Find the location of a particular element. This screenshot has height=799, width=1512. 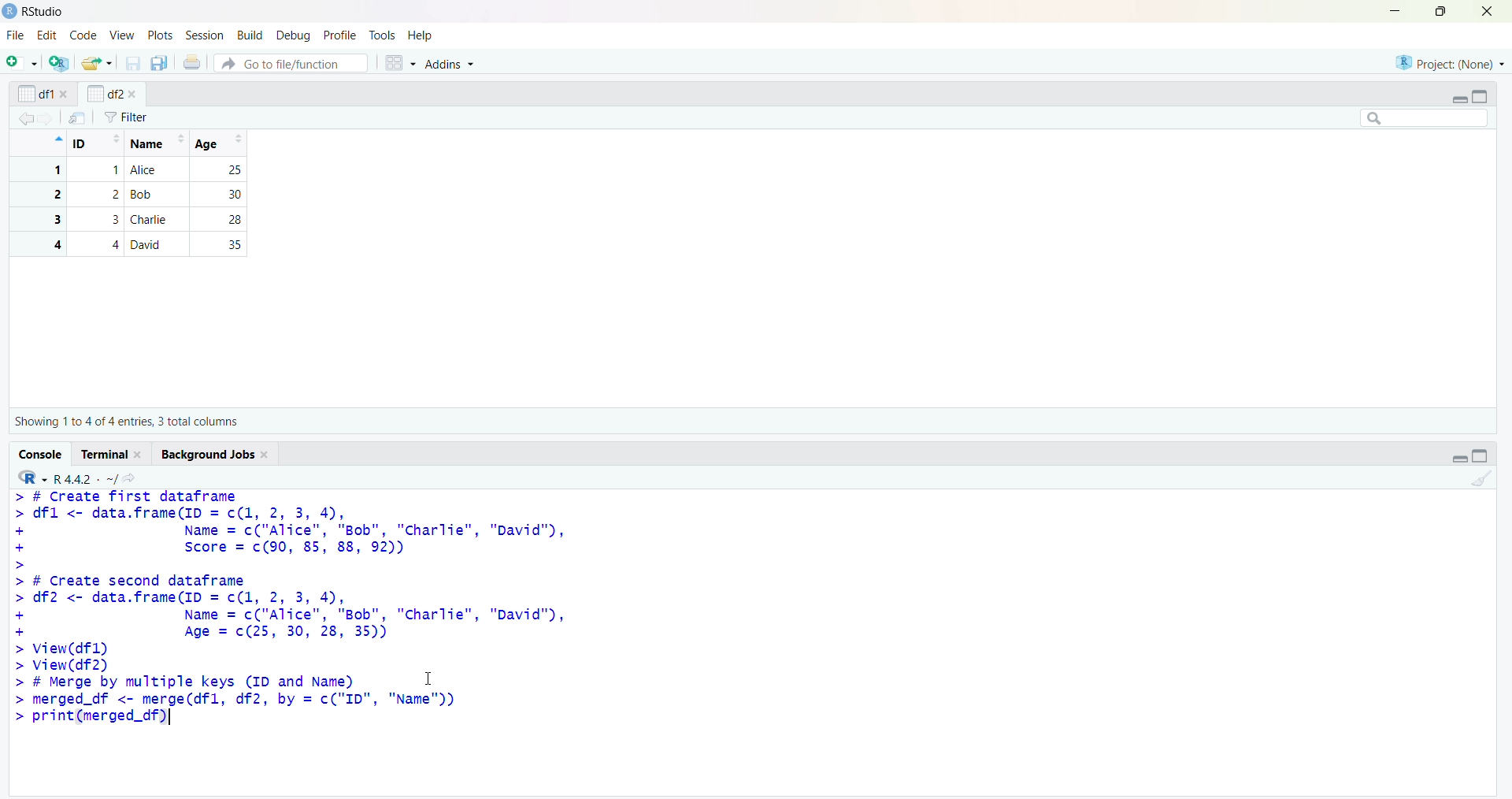

close is located at coordinates (65, 94).